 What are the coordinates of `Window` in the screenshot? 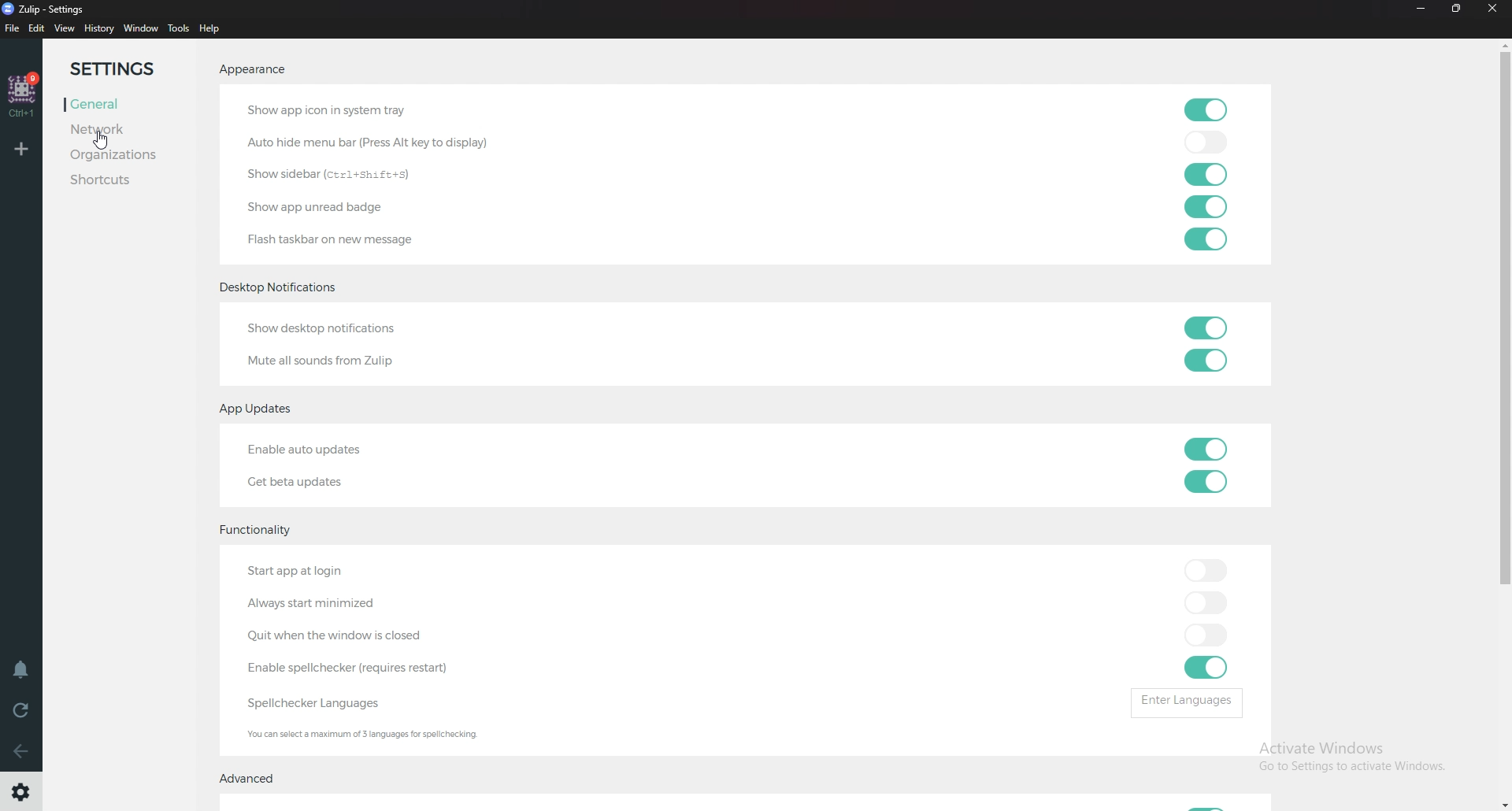 It's located at (140, 29).